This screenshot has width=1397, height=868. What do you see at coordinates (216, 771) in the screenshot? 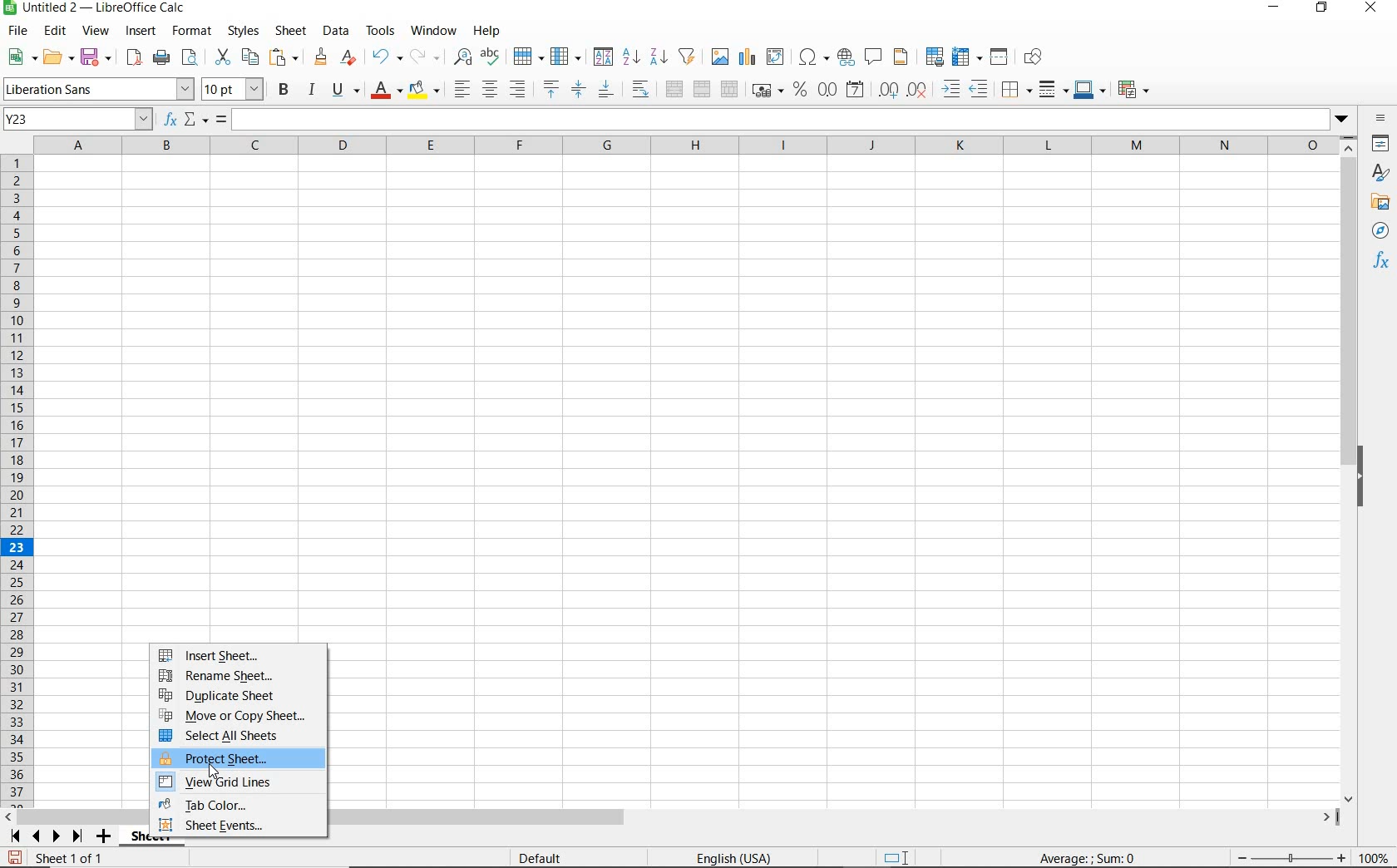
I see `cursor` at bounding box center [216, 771].